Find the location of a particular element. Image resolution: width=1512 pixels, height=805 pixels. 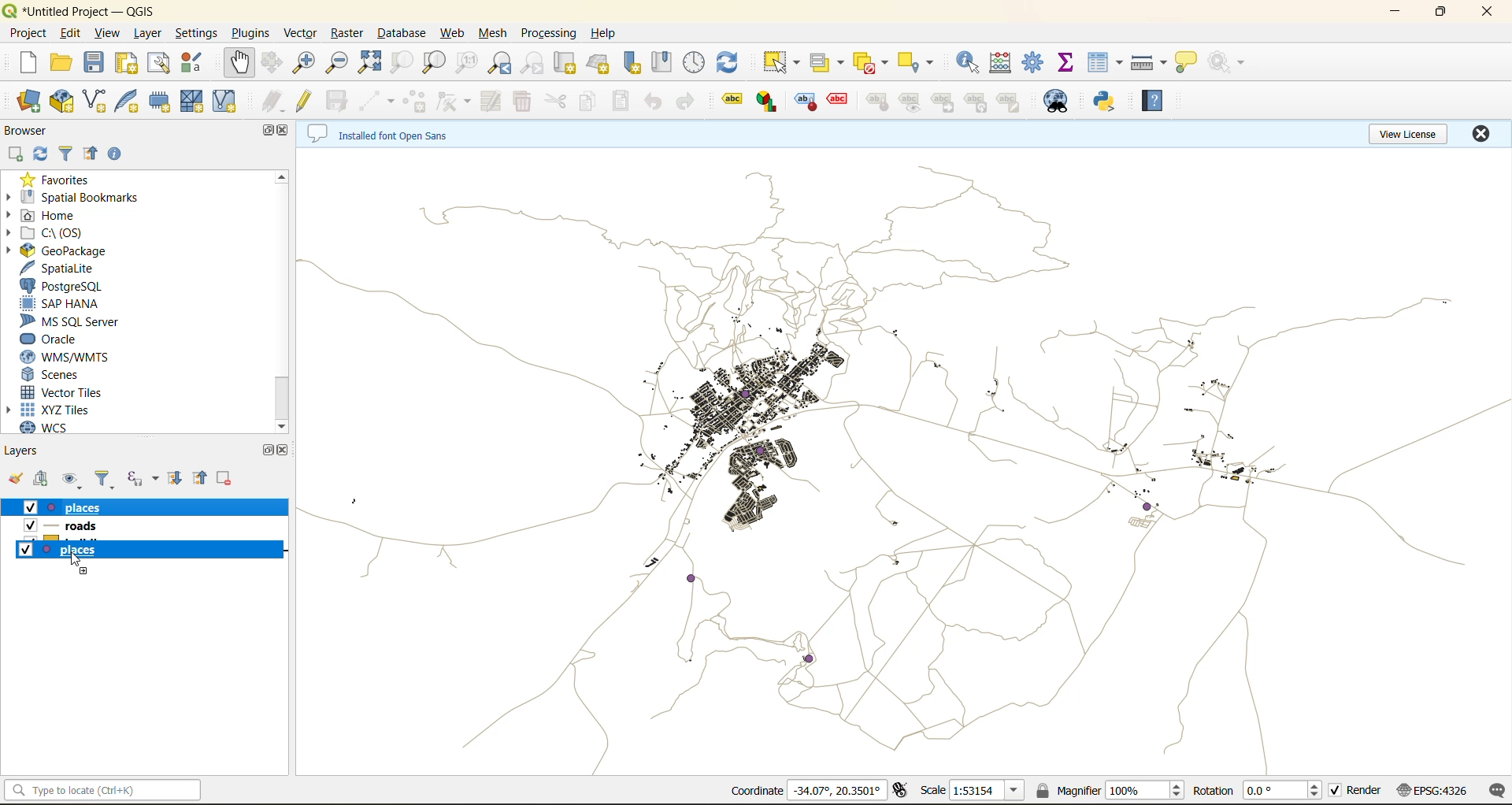

maximize is located at coordinates (263, 132).